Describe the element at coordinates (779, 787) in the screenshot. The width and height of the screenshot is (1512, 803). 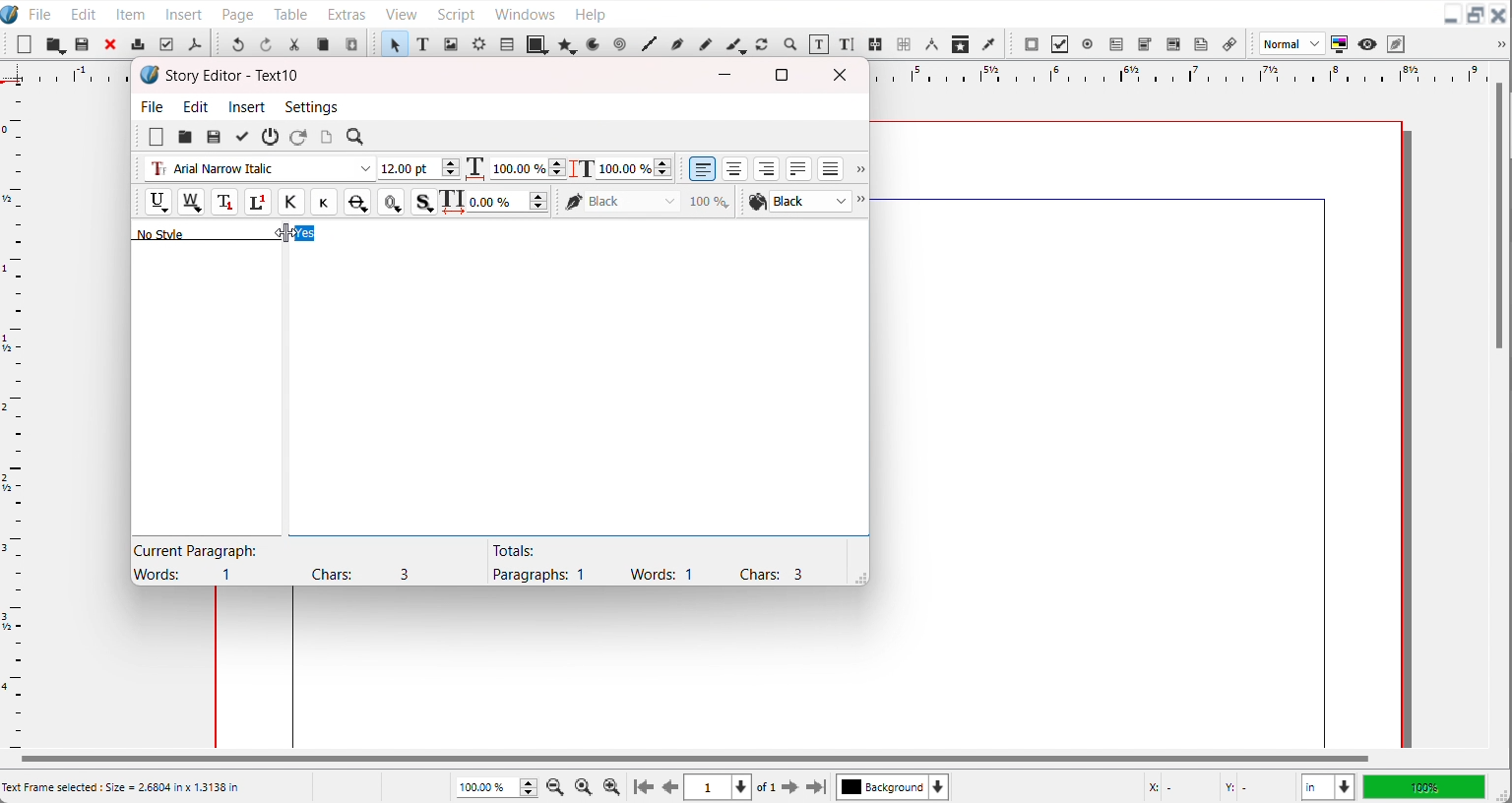
I see `Go to next page` at that location.